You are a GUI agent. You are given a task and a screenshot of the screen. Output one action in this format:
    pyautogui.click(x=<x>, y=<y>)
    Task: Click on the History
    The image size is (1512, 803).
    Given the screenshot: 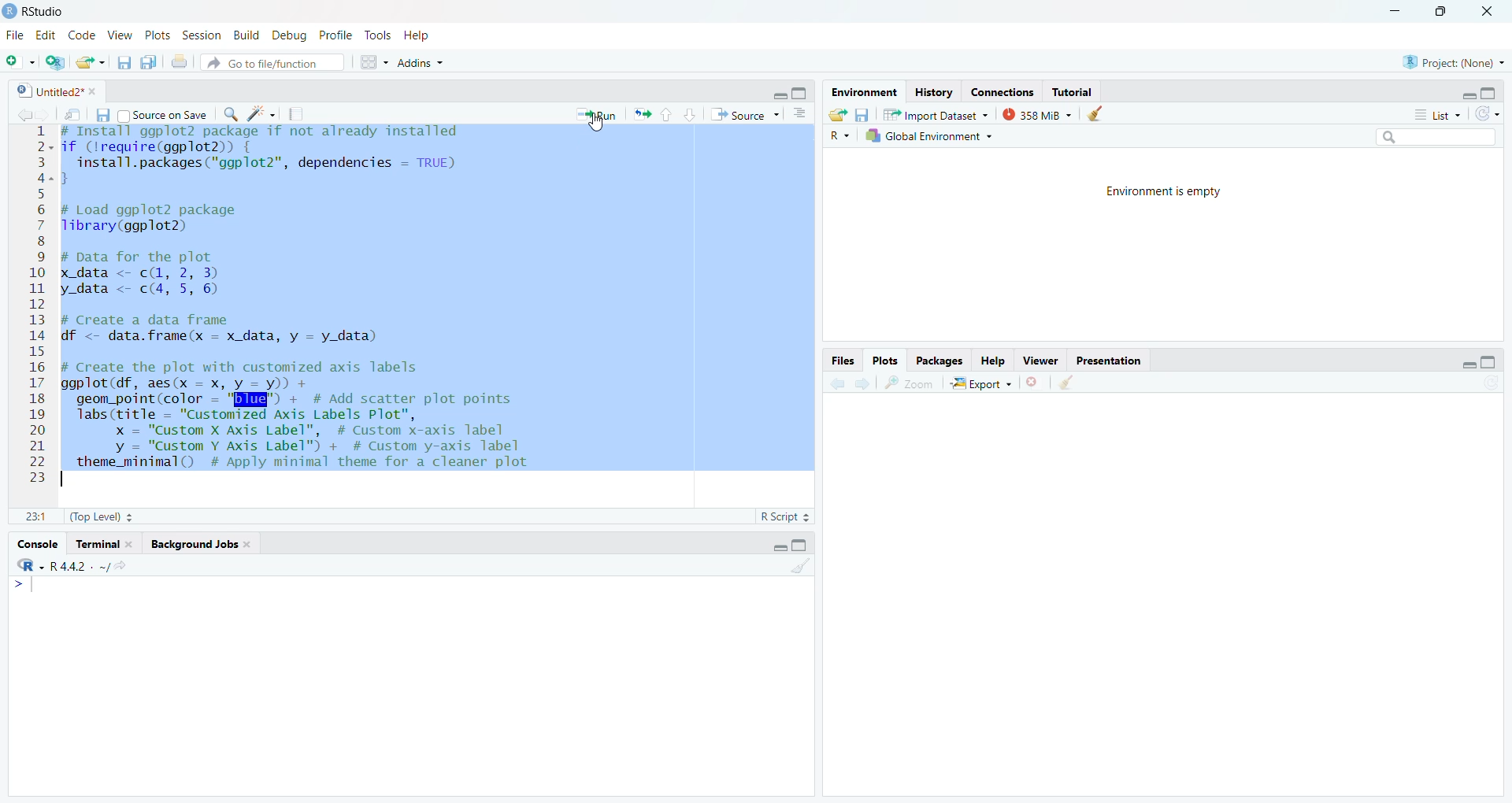 What is the action you would take?
    pyautogui.click(x=934, y=92)
    